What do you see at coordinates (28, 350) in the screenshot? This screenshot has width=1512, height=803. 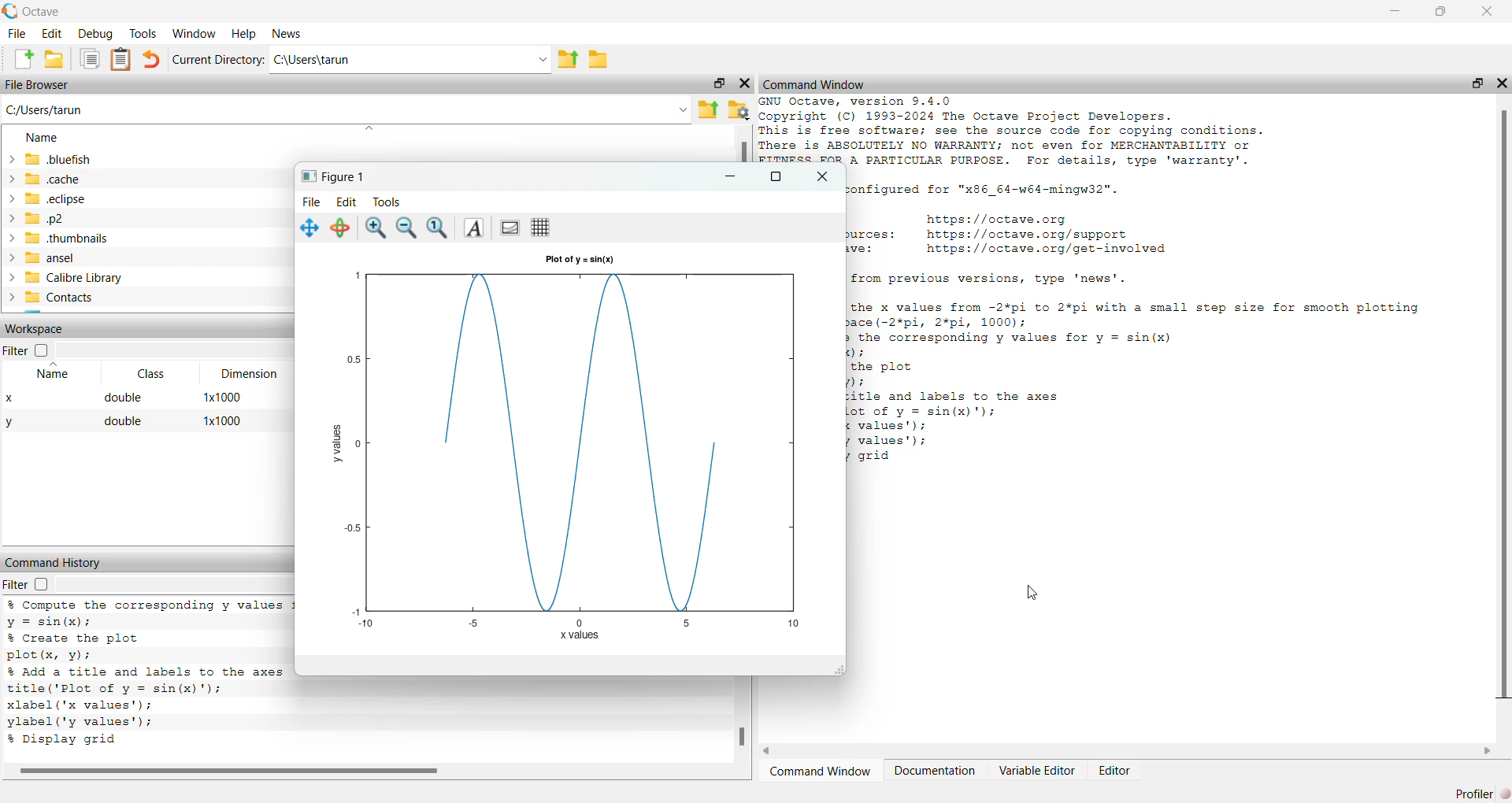 I see `Filter checkbox` at bounding box center [28, 350].